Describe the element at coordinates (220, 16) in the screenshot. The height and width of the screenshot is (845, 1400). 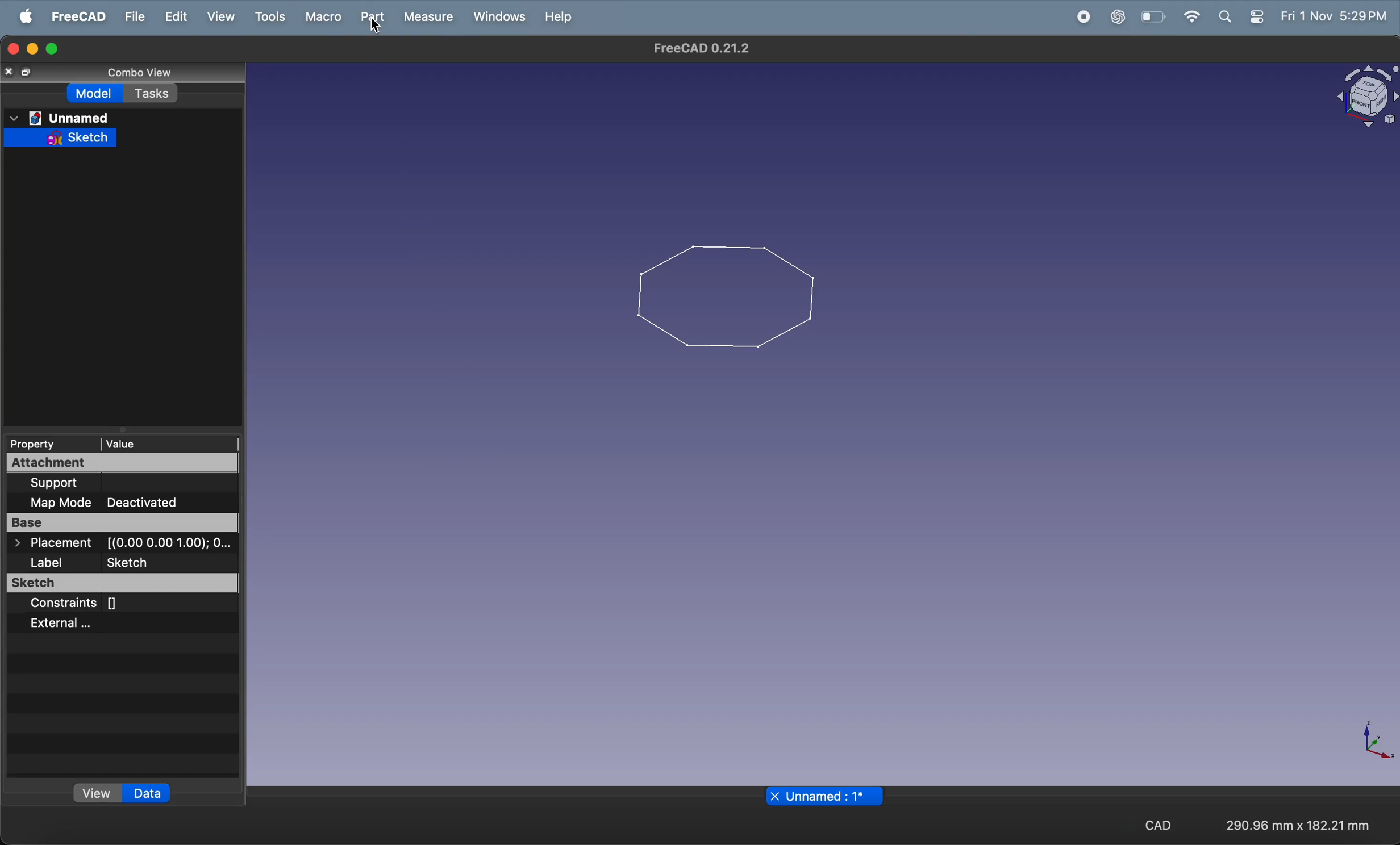
I see `view` at that location.